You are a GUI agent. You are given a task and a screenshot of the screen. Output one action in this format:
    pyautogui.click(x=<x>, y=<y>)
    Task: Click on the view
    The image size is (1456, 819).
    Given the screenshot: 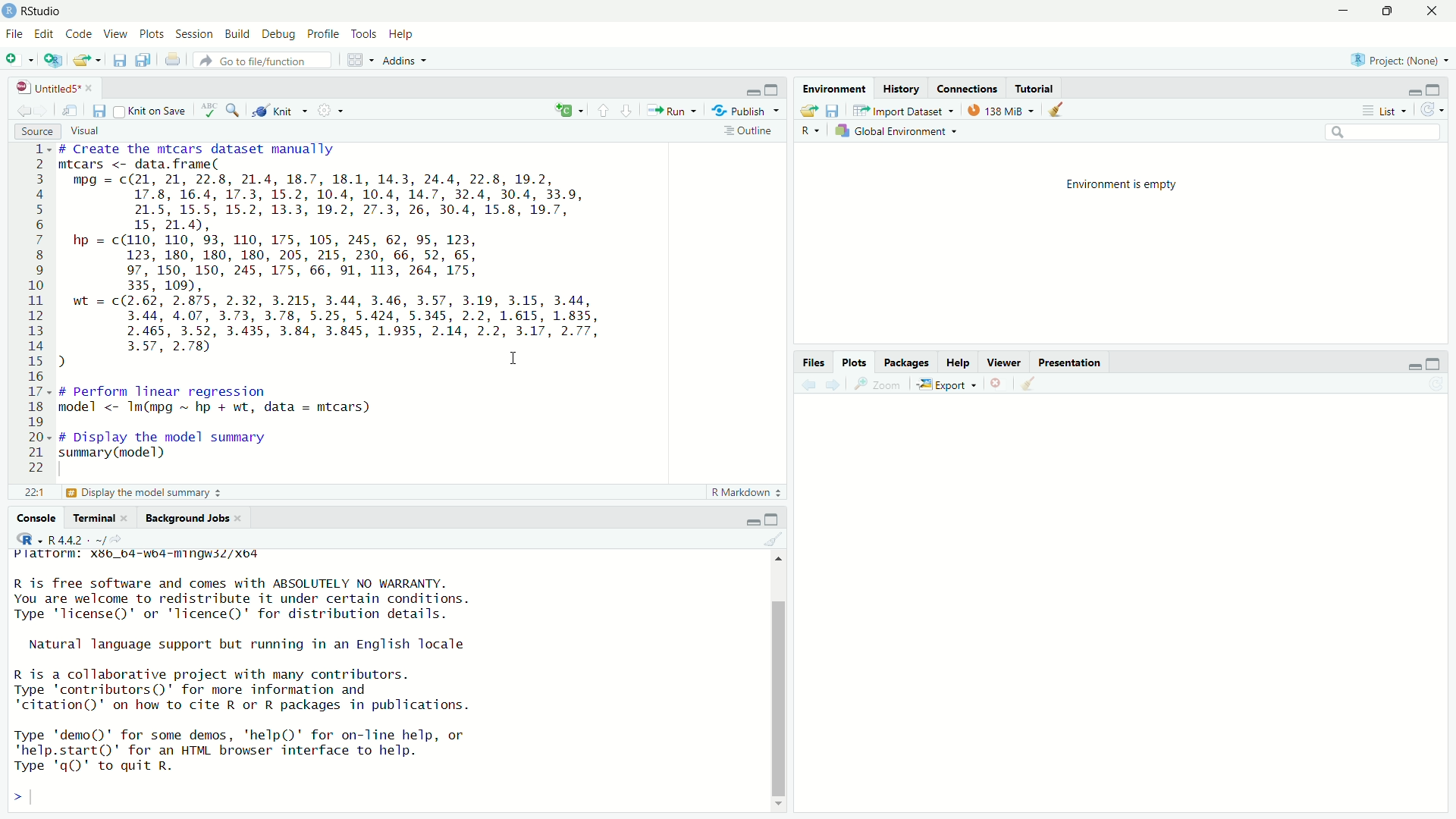 What is the action you would take?
    pyautogui.click(x=117, y=34)
    